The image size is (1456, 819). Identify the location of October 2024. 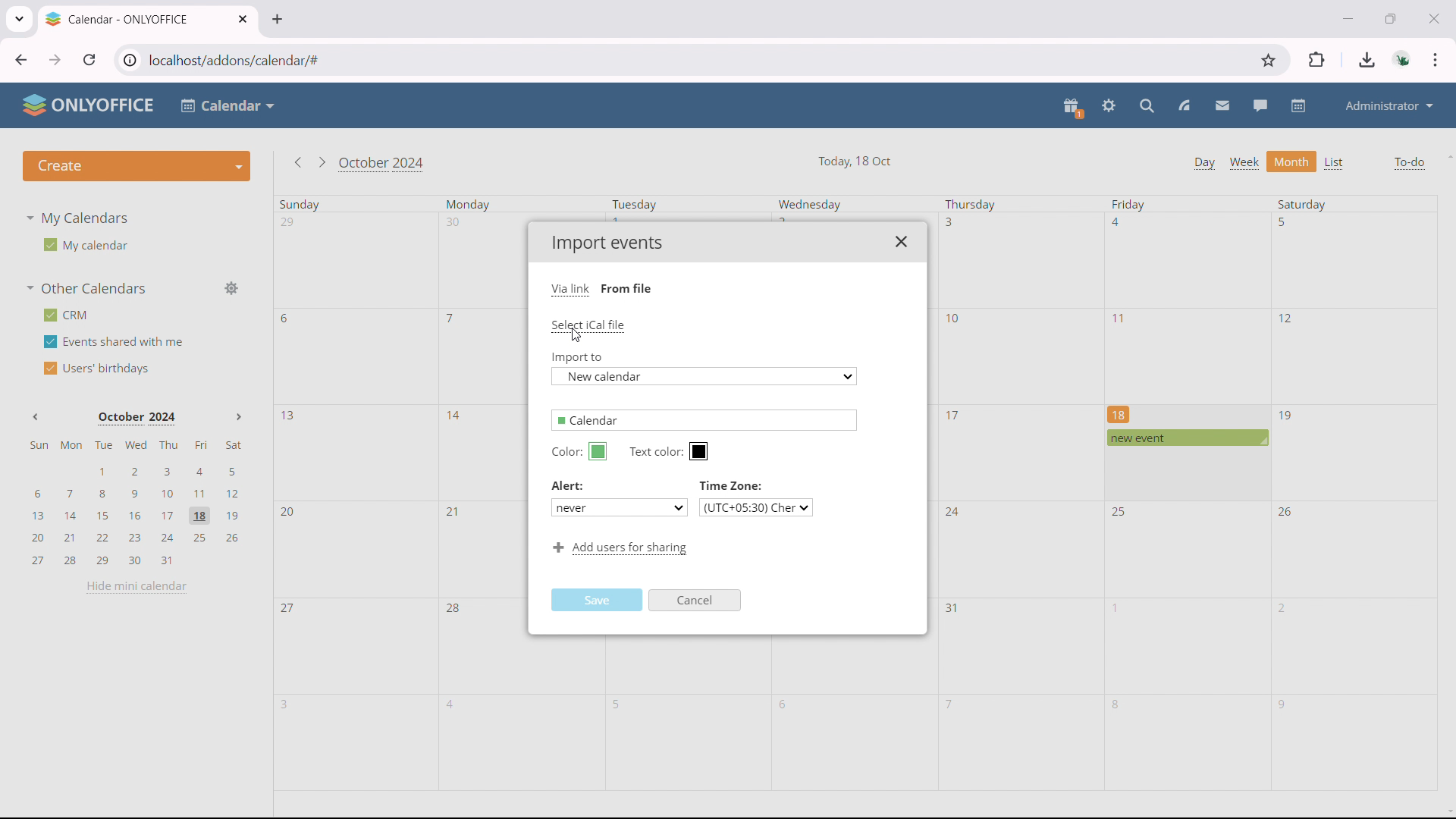
(384, 165).